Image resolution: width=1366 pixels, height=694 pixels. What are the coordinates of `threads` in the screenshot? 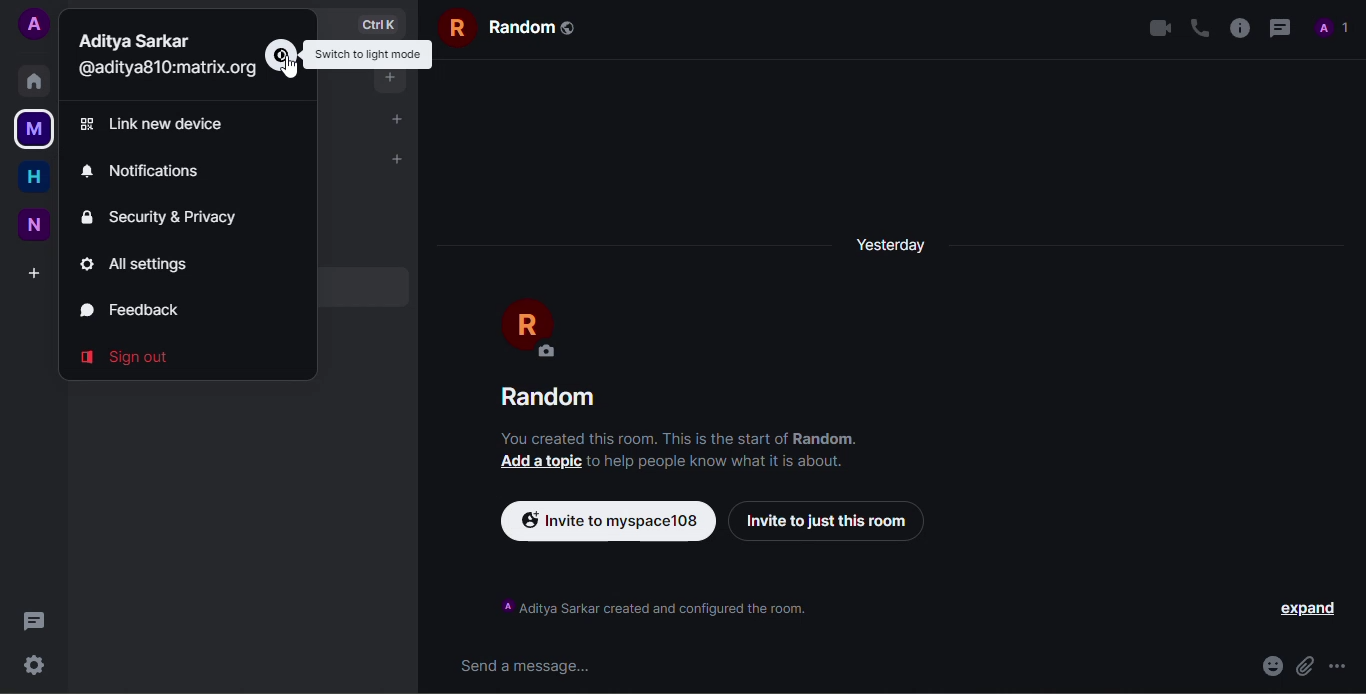 It's located at (34, 621).